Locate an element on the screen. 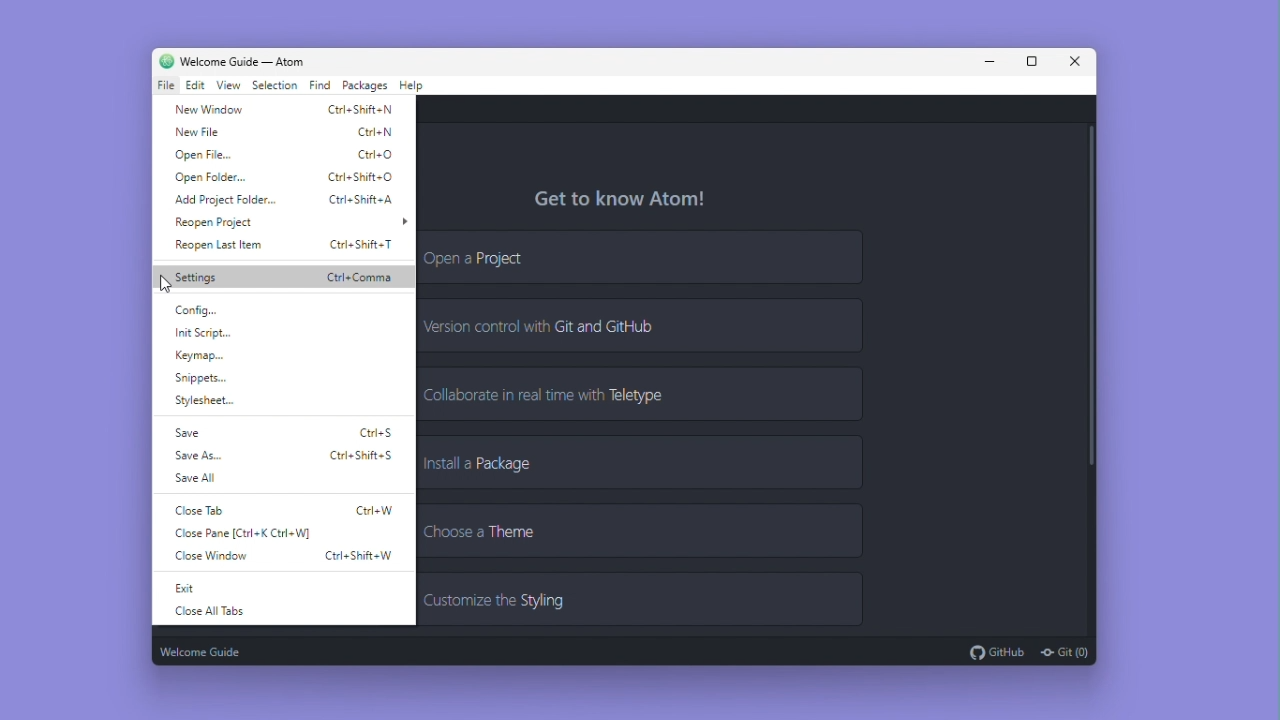 The width and height of the screenshot is (1280, 720). Vertical scroll bar is located at coordinates (1090, 298).